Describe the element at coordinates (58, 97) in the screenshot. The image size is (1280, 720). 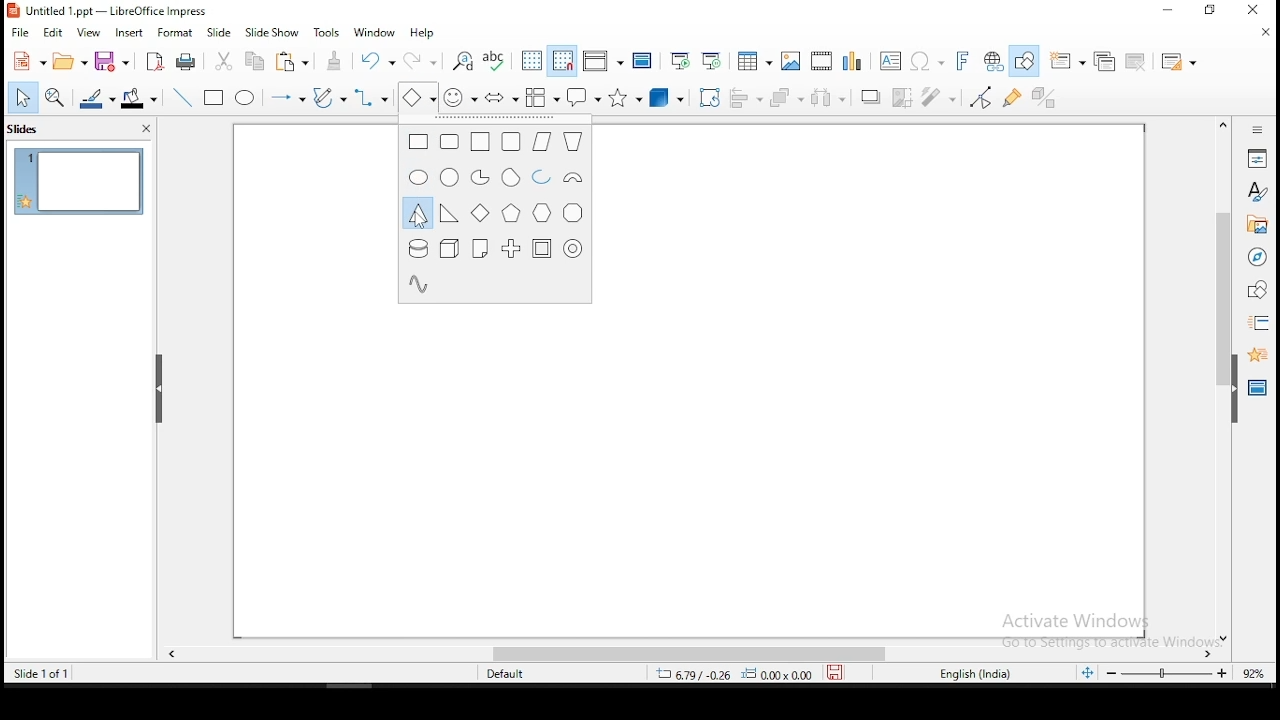
I see `zoom and pan` at that location.